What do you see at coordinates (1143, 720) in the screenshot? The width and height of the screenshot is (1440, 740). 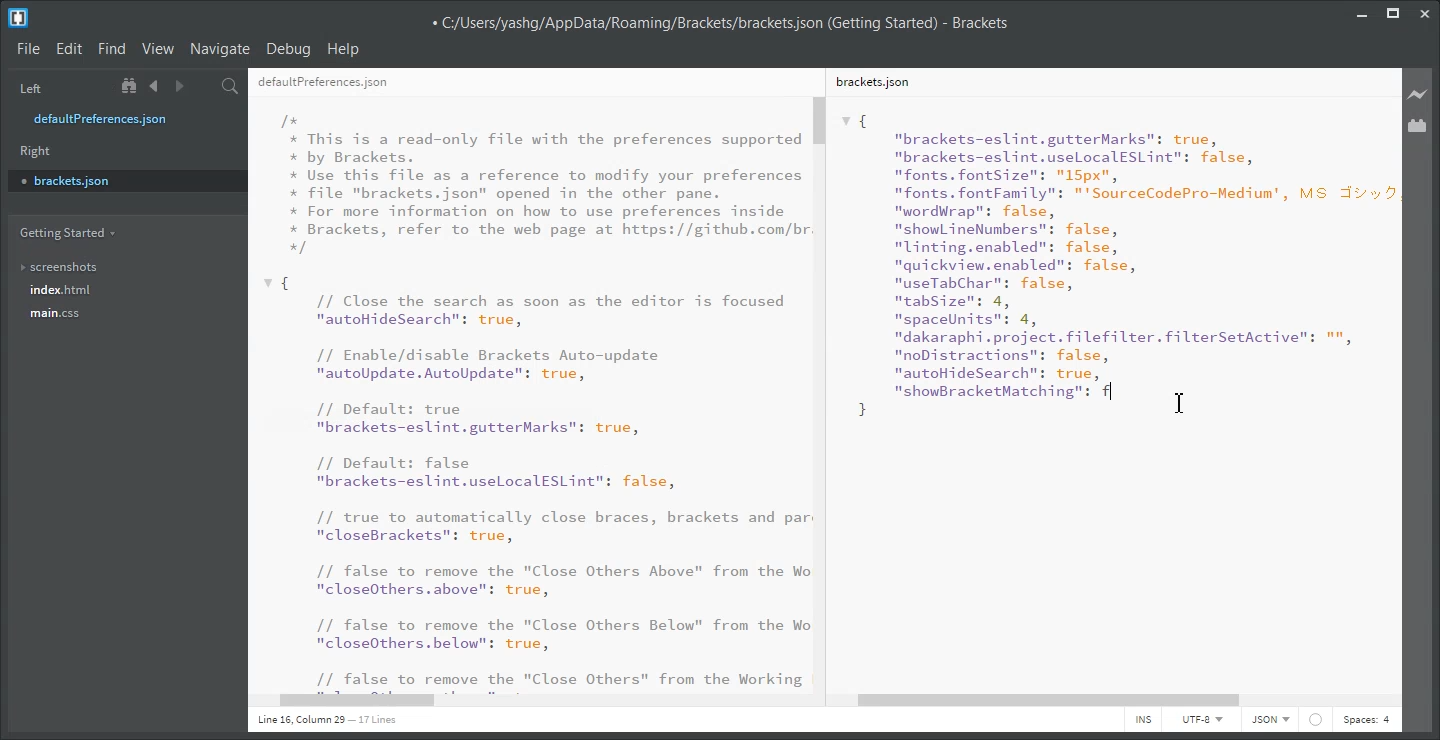 I see `INS` at bounding box center [1143, 720].